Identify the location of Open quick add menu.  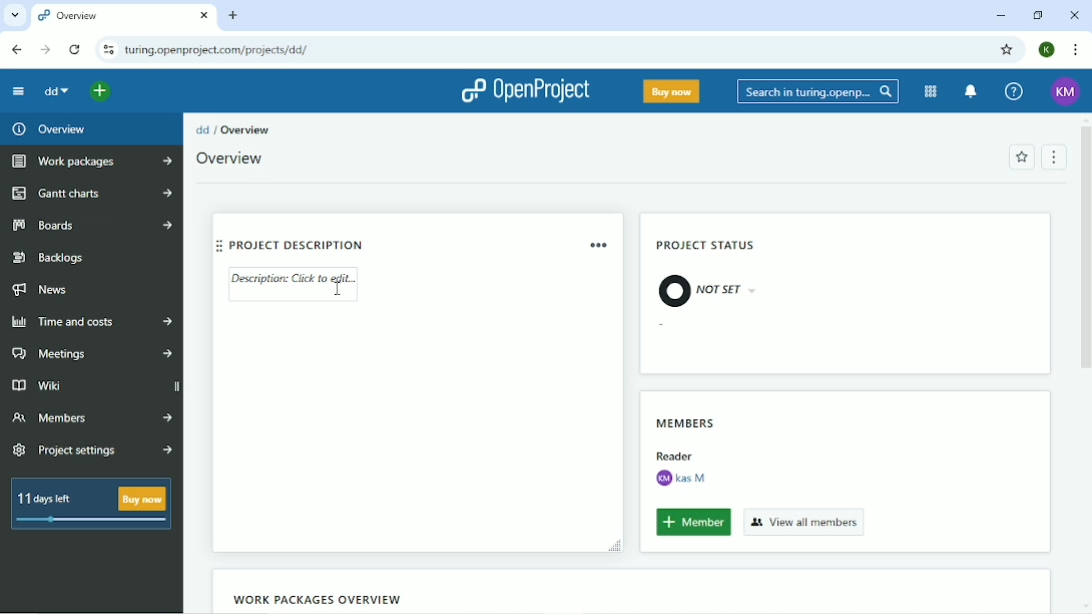
(100, 94).